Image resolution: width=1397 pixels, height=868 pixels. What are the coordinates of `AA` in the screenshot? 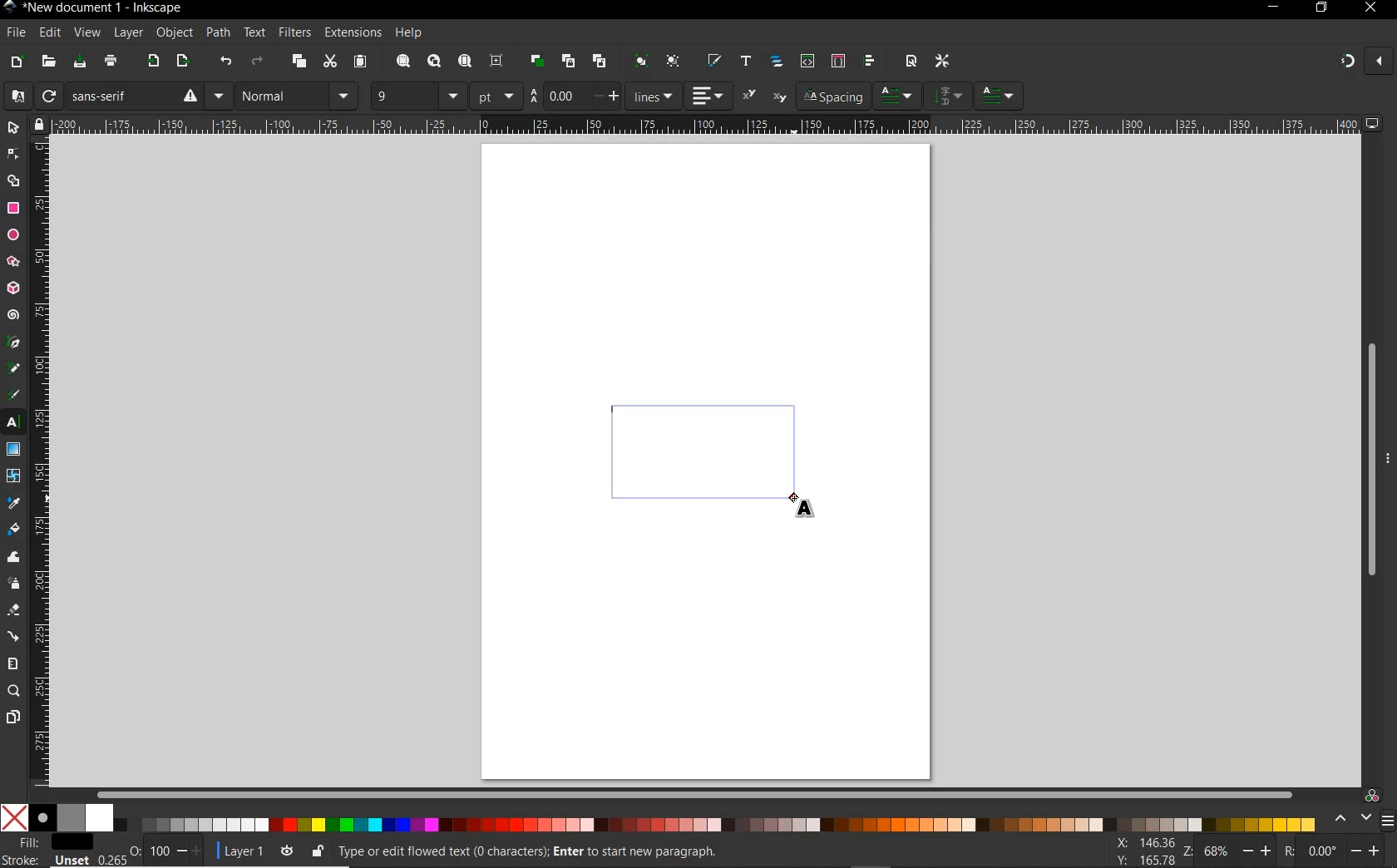 It's located at (533, 96).